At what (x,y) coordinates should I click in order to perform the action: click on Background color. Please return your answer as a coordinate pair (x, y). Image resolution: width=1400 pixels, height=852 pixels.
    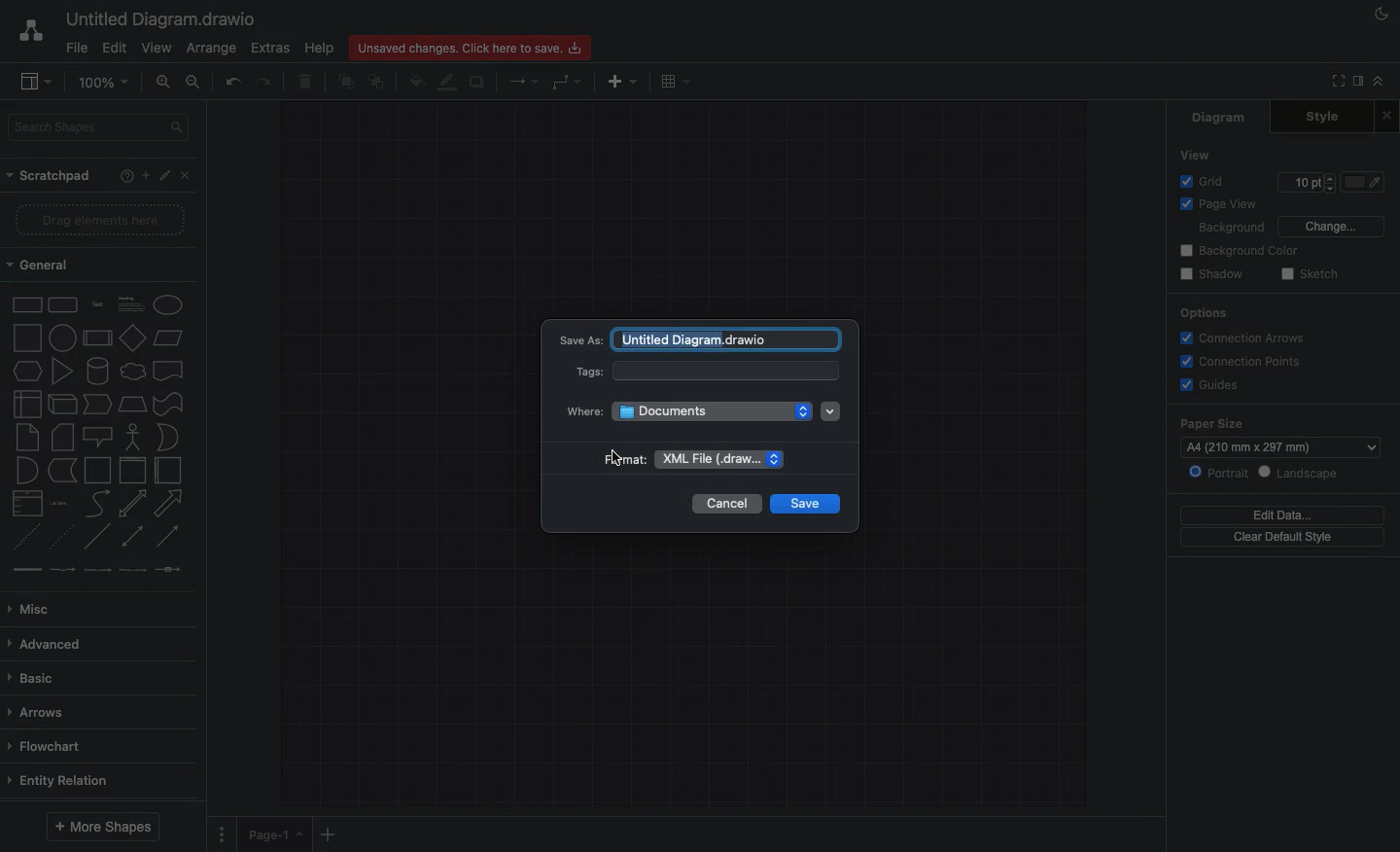
    Looking at the image, I should click on (1238, 251).